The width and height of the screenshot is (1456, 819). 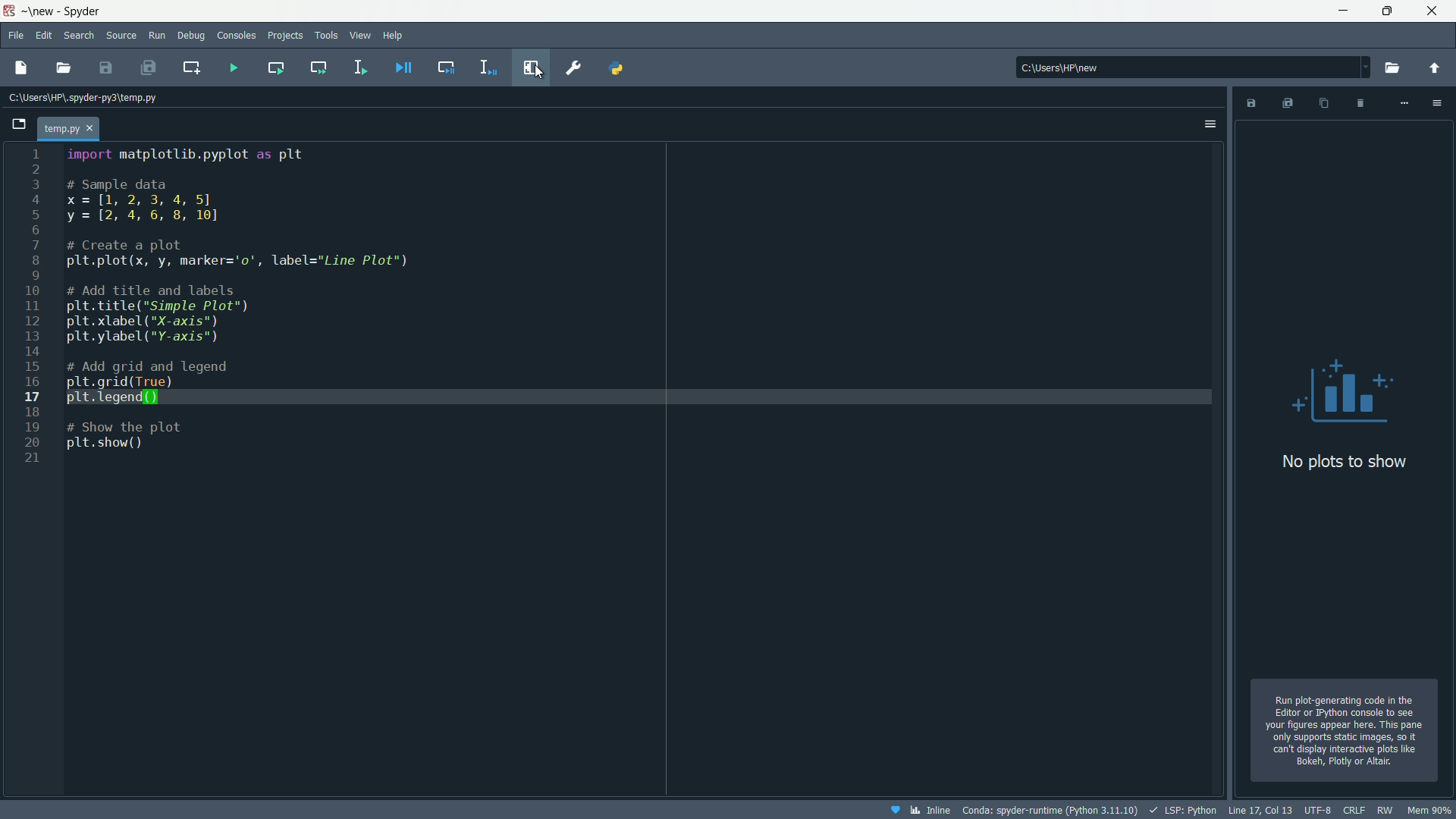 What do you see at coordinates (234, 69) in the screenshot?
I see `run file` at bounding box center [234, 69].